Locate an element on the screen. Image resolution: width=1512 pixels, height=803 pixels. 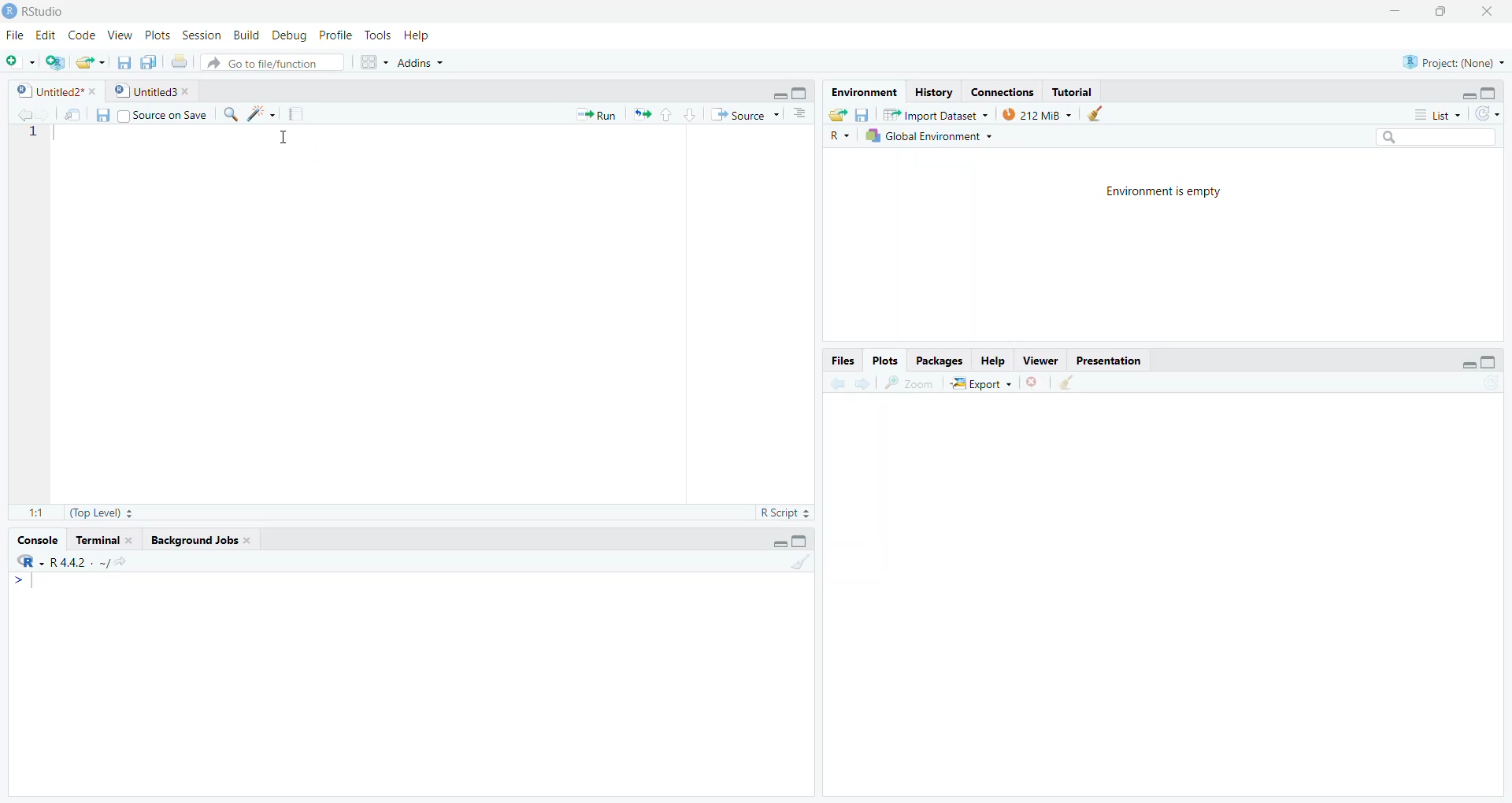
run is located at coordinates (591, 115).